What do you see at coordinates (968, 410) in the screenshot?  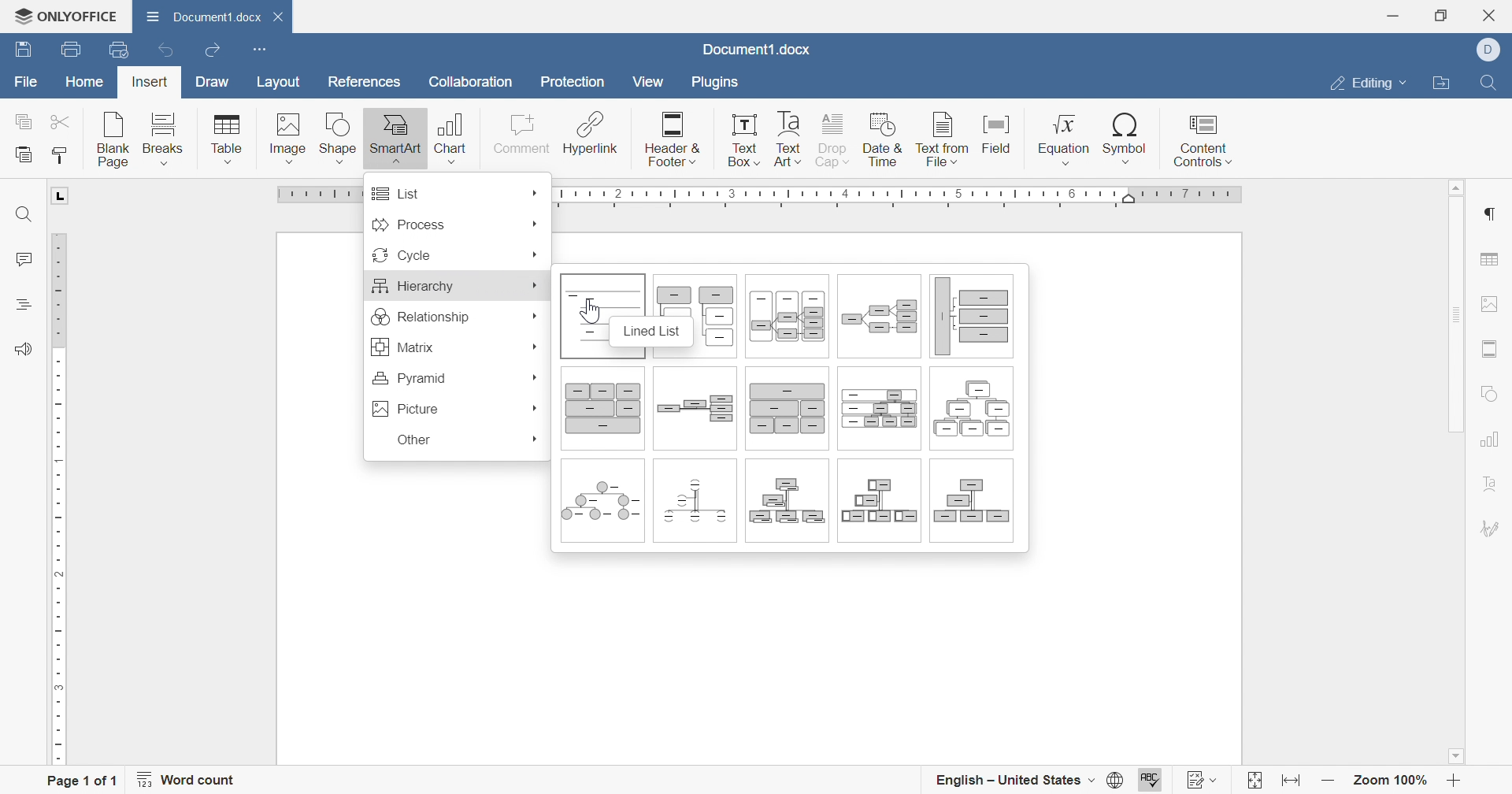 I see `Hierarchy` at bounding box center [968, 410].